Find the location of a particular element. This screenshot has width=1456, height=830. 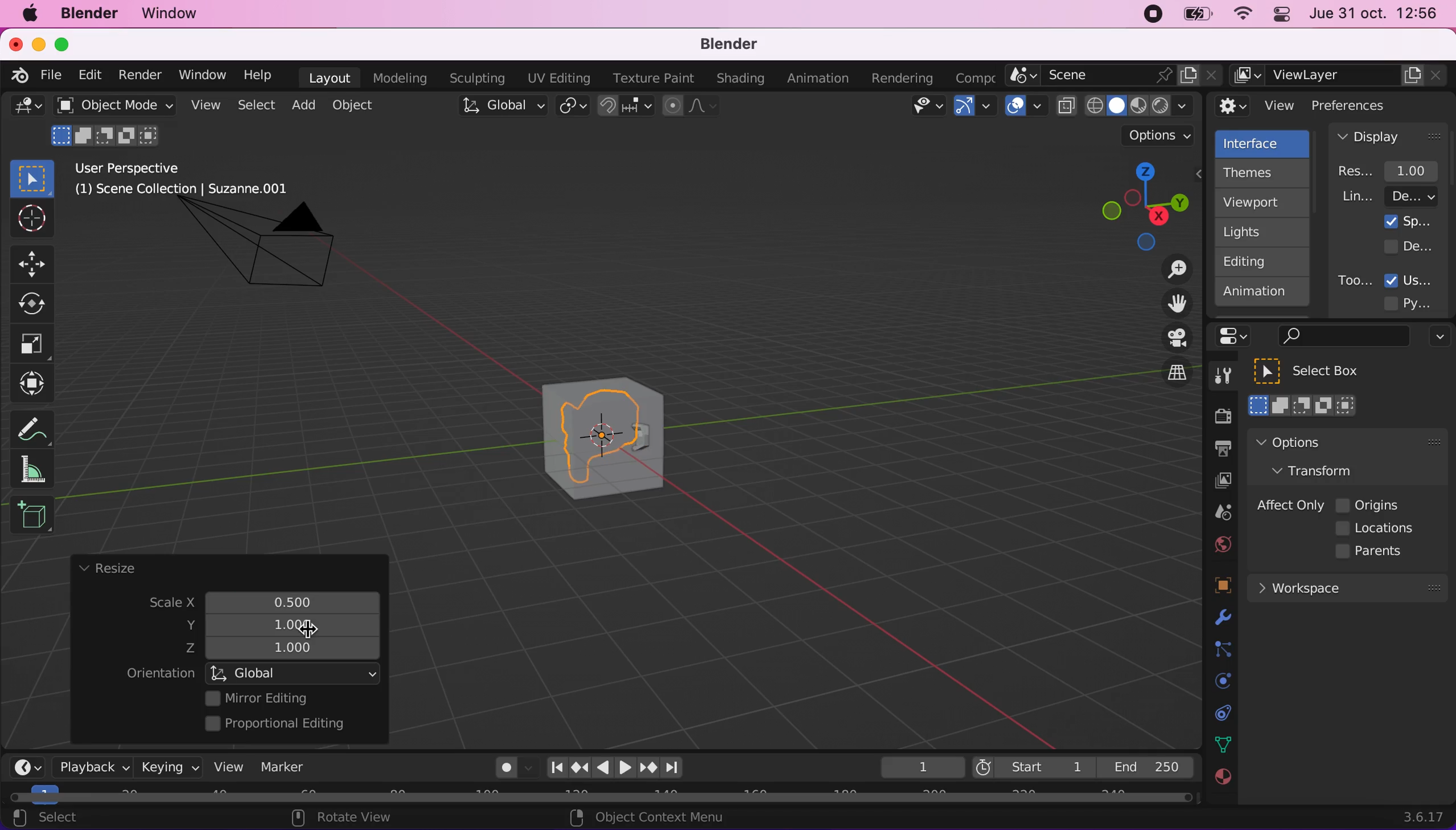

lights is located at coordinates (1265, 233).